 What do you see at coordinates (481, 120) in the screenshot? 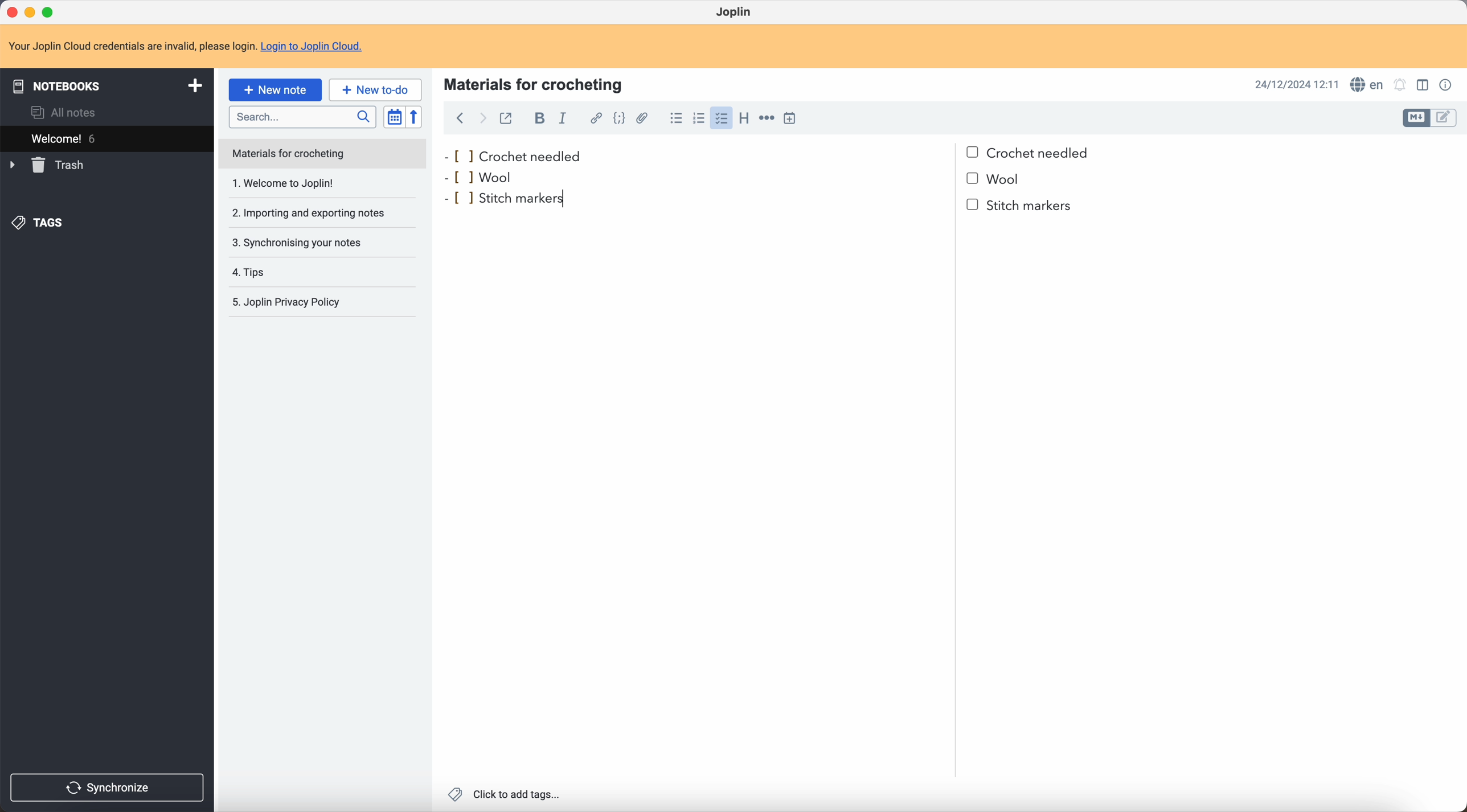
I see `foward` at bounding box center [481, 120].